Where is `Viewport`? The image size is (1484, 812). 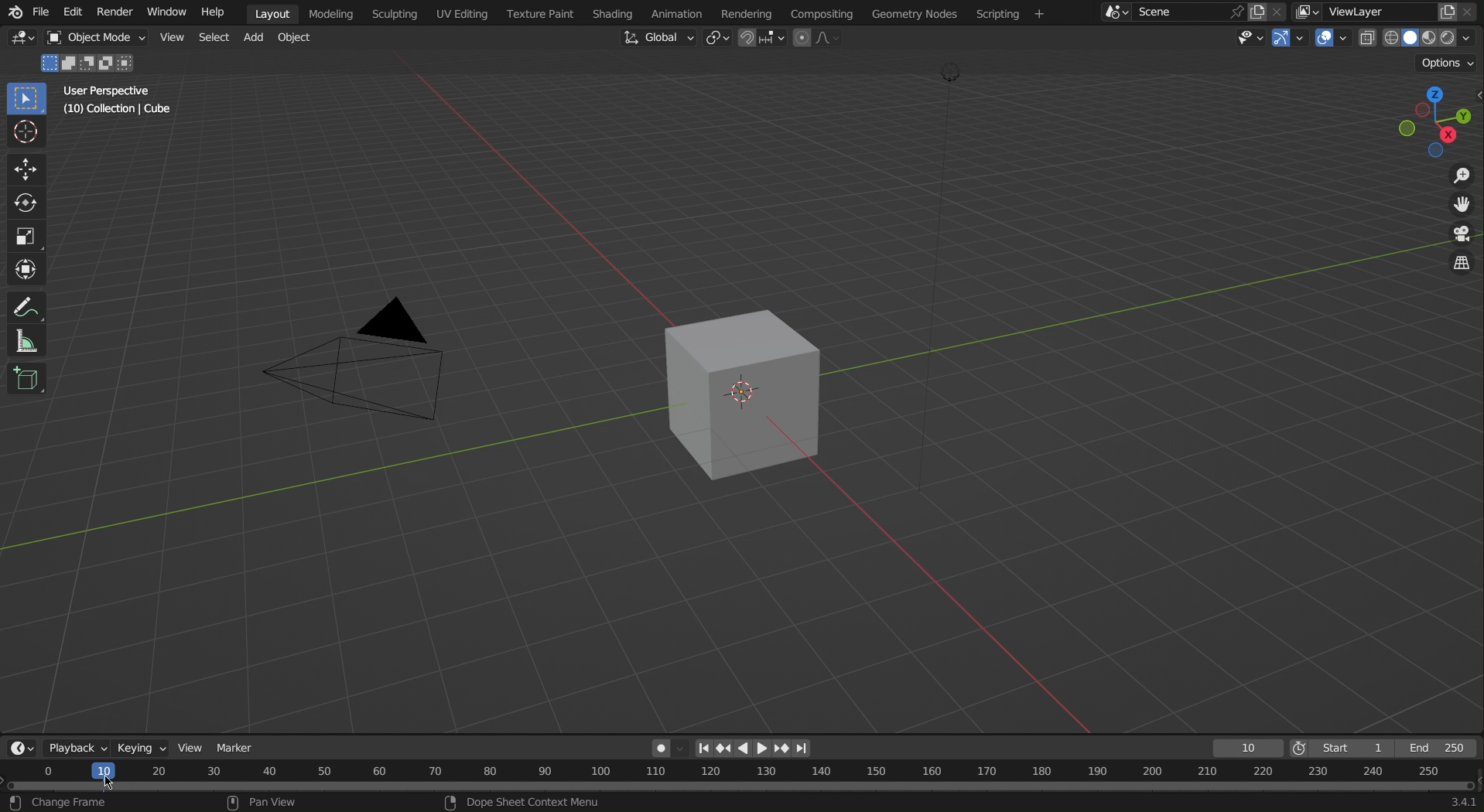
Viewport is located at coordinates (1439, 121).